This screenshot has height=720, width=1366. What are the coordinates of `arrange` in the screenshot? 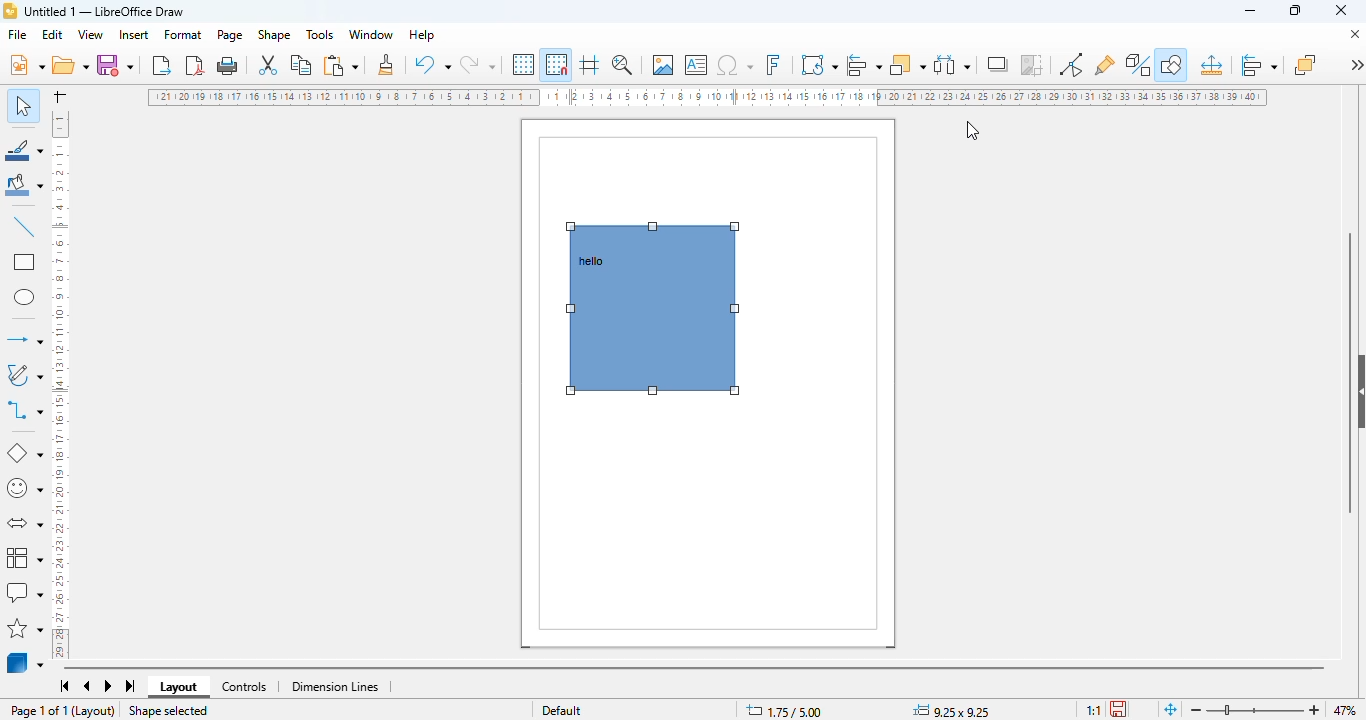 It's located at (908, 64).